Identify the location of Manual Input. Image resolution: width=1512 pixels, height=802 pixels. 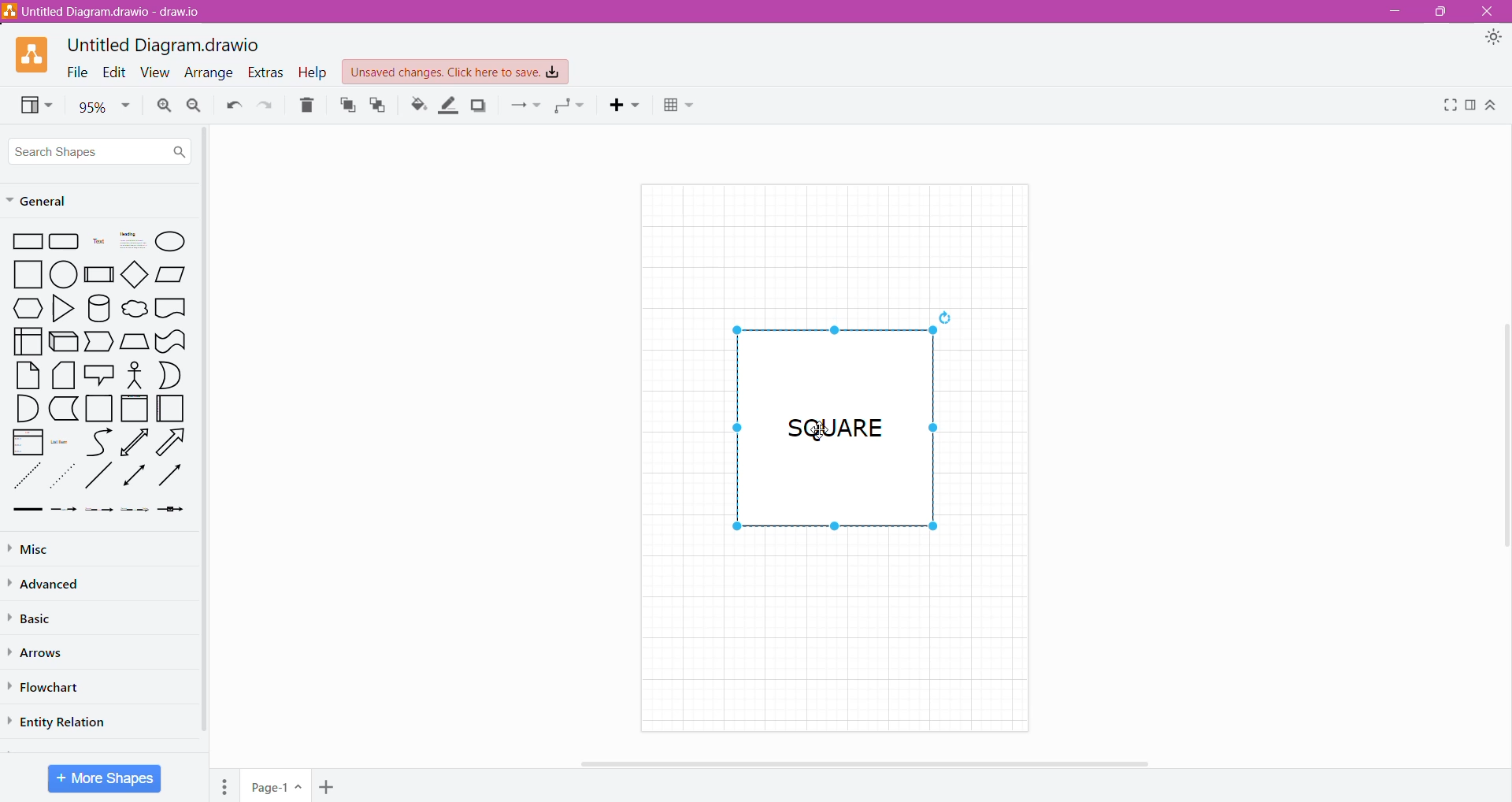
(135, 340).